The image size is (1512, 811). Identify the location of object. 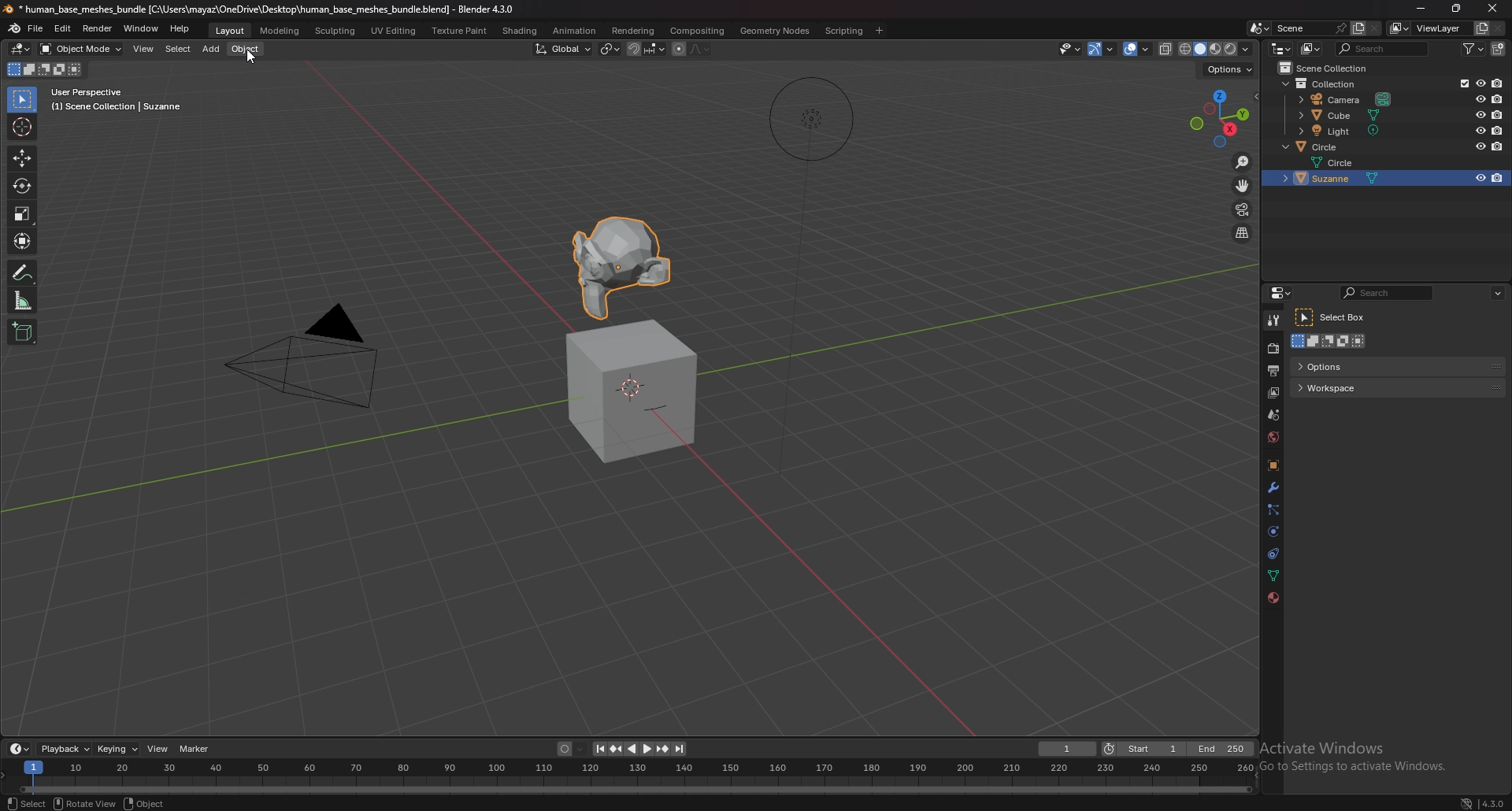
(157, 803).